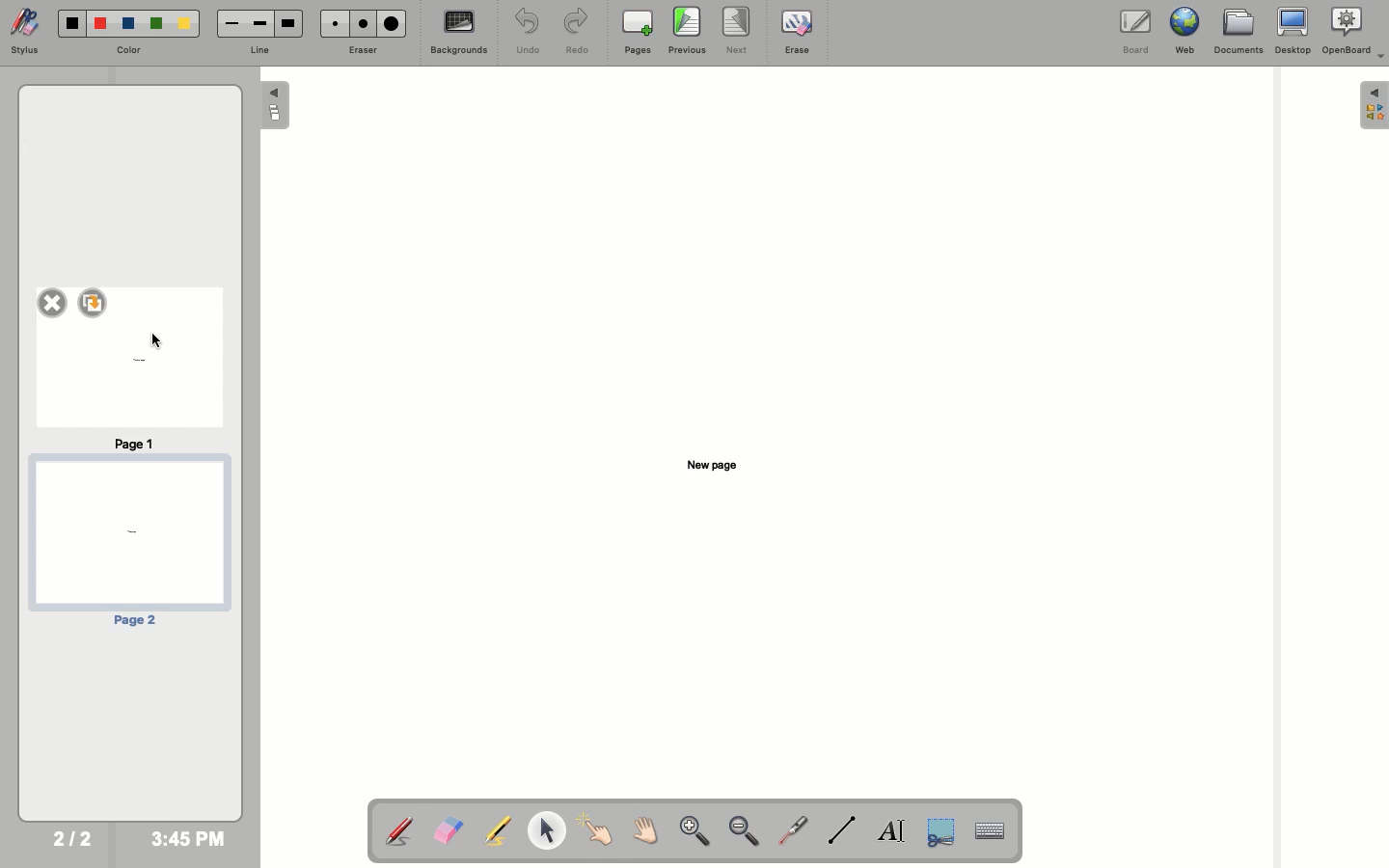 Image resolution: width=1389 pixels, height=868 pixels. What do you see at coordinates (333, 23) in the screenshot?
I see `Small eraser` at bounding box center [333, 23].